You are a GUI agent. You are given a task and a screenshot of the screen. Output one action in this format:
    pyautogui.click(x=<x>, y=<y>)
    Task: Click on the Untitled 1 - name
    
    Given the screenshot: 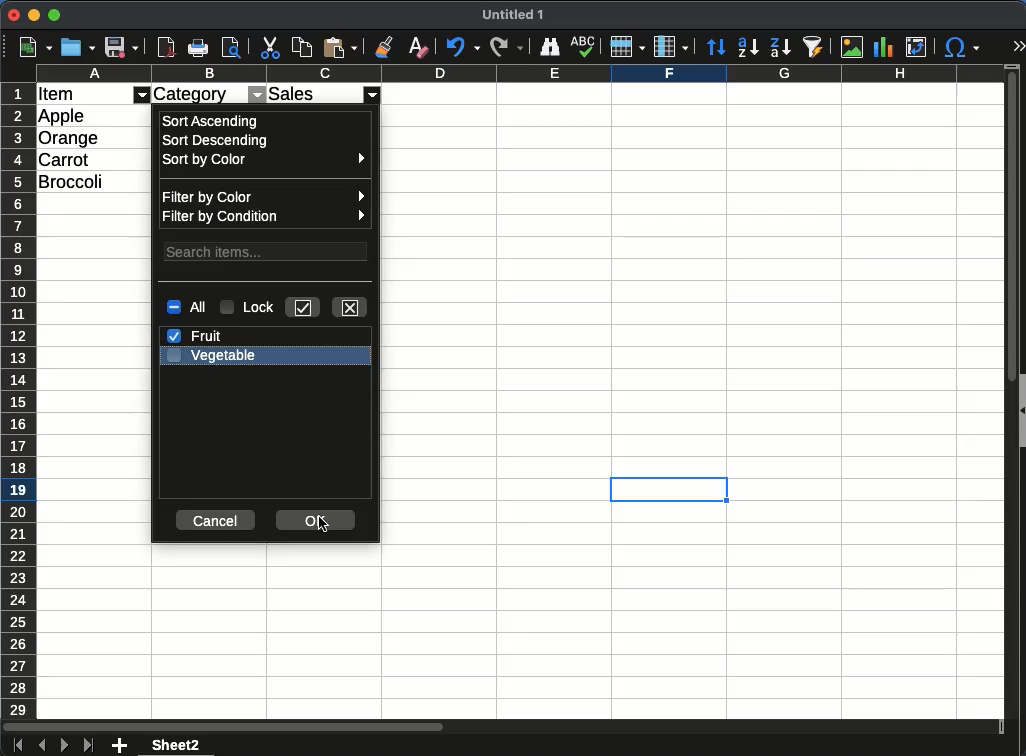 What is the action you would take?
    pyautogui.click(x=513, y=15)
    